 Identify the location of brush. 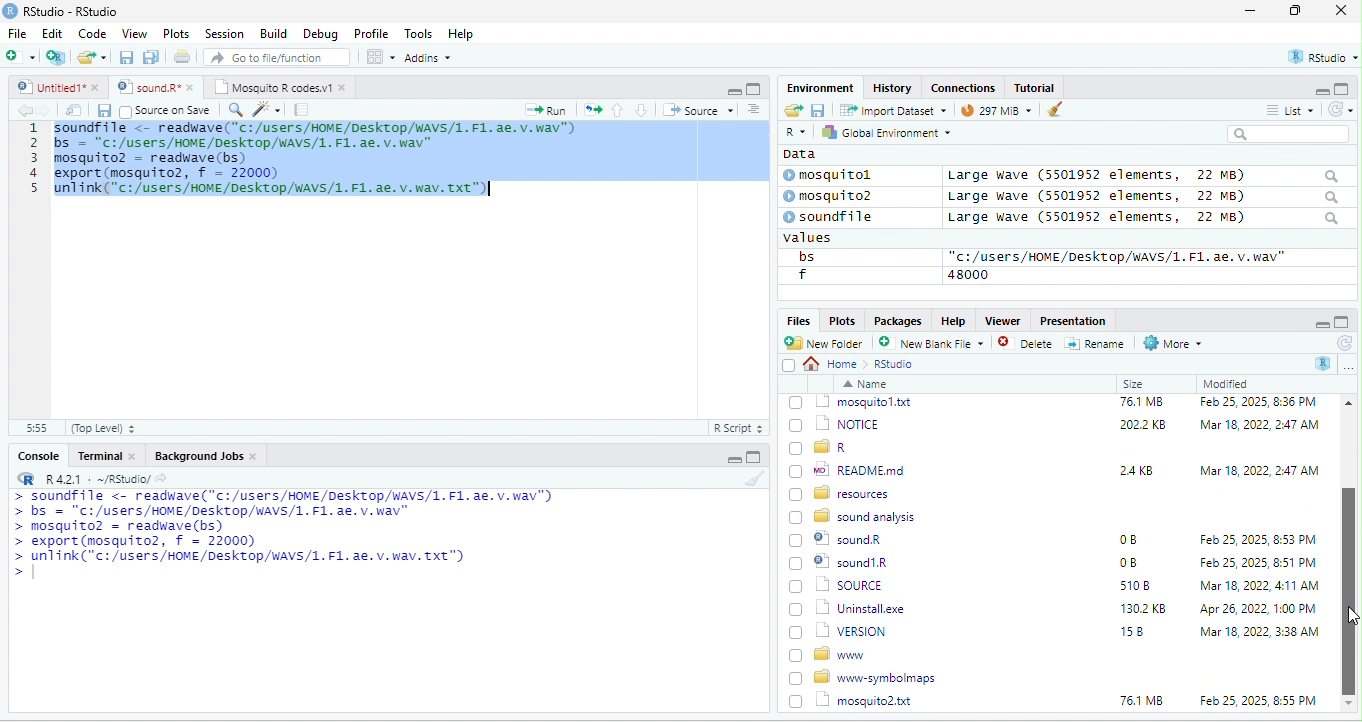
(1044, 111).